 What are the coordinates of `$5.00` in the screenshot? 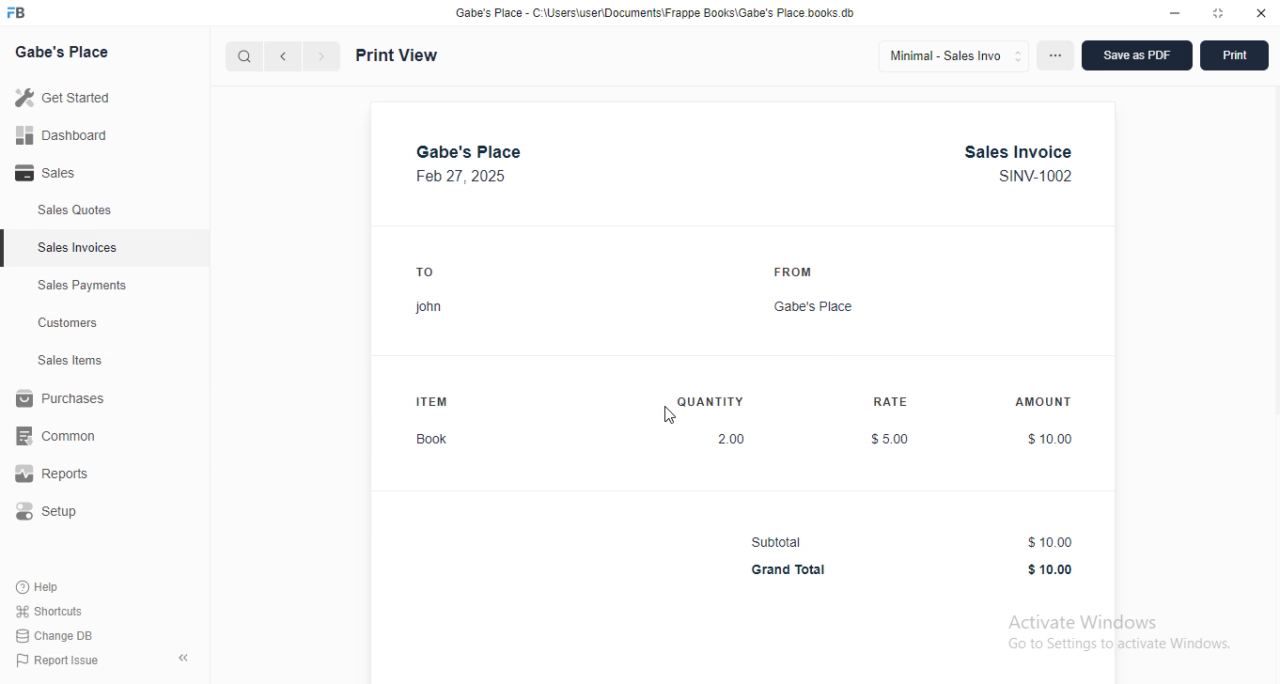 It's located at (891, 439).